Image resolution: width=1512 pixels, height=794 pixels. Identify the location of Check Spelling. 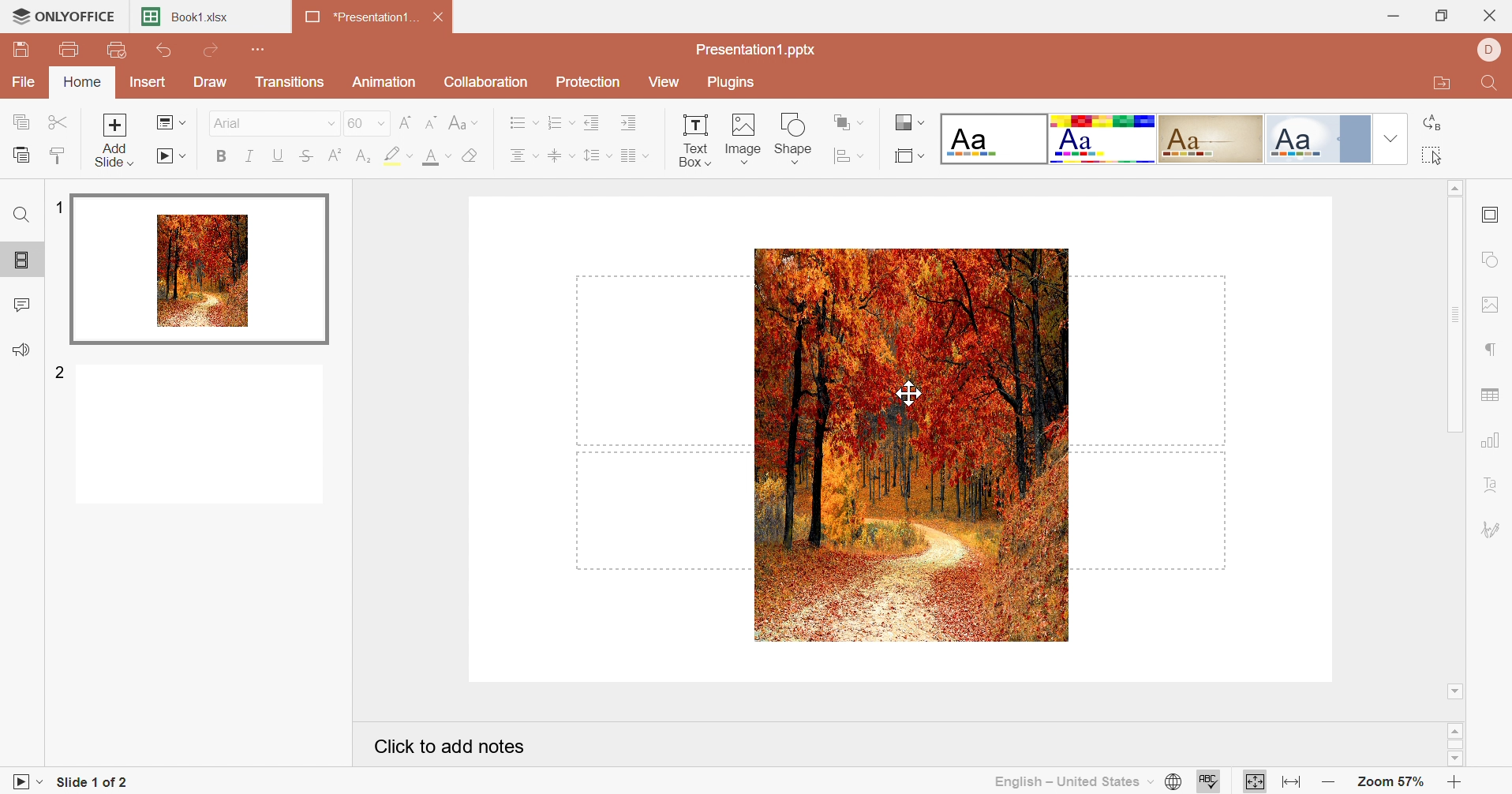
(1210, 781).